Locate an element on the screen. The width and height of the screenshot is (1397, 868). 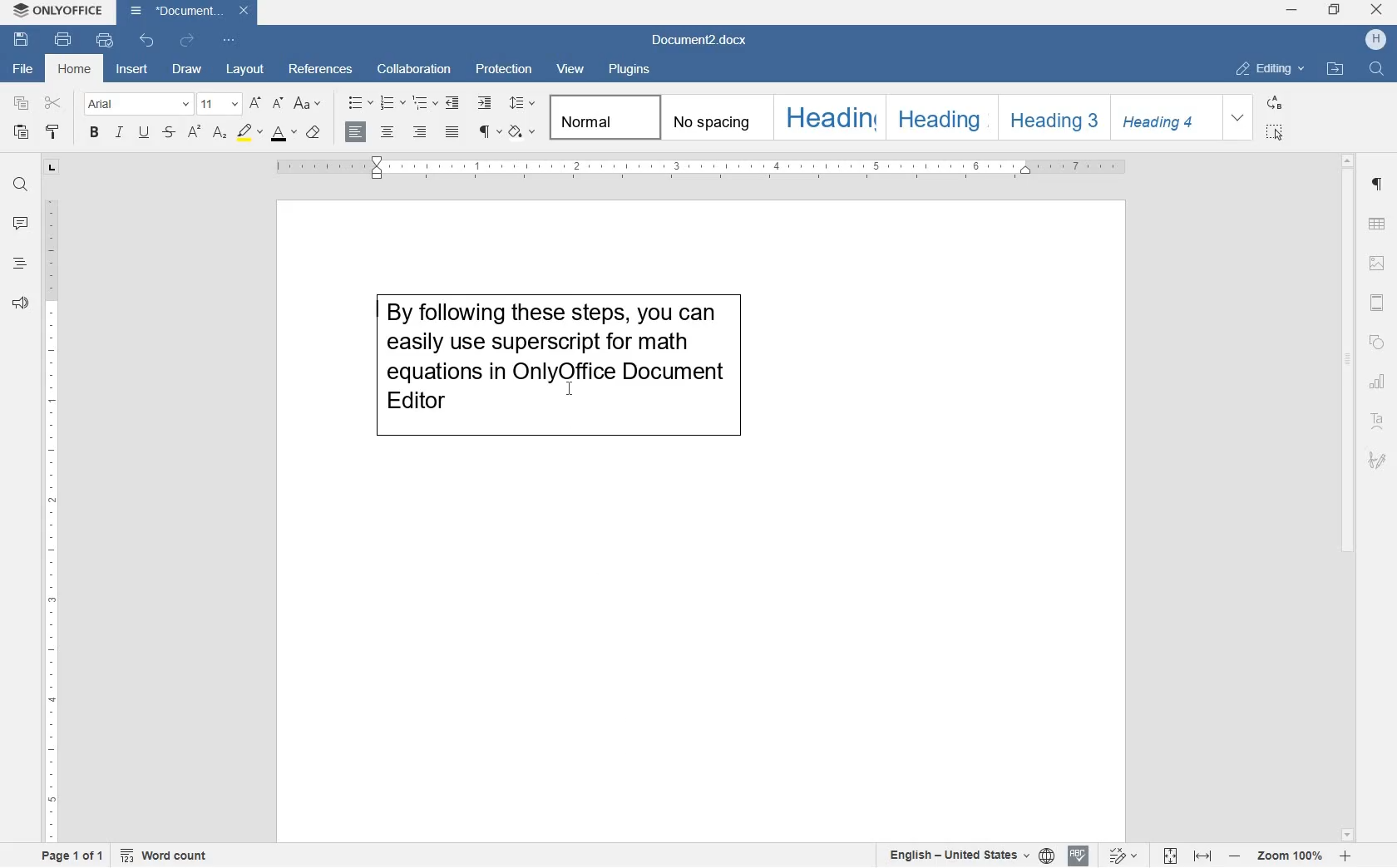
collaboration is located at coordinates (417, 68).